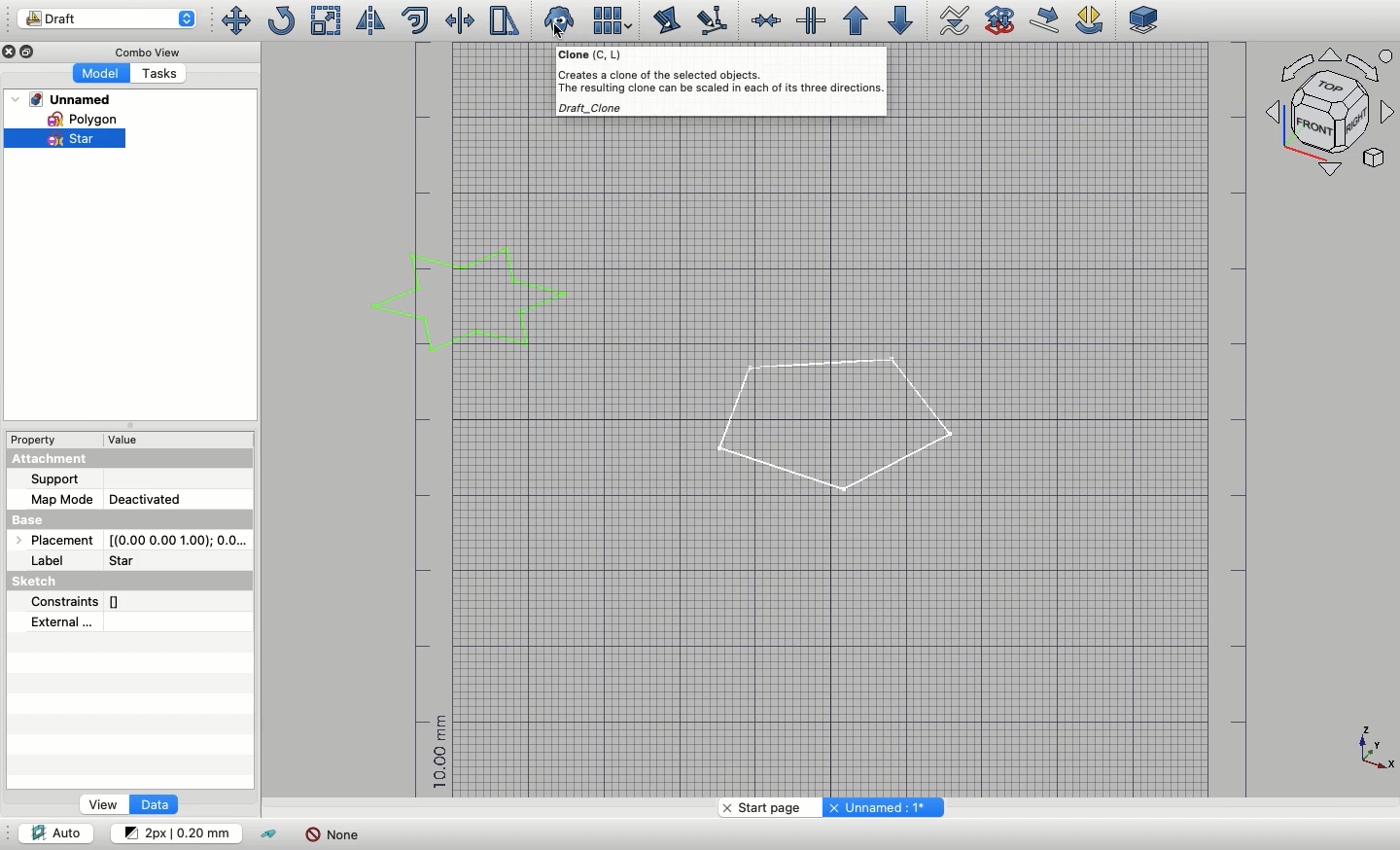 The image size is (1400, 850). I want to click on Tasks, so click(157, 73).